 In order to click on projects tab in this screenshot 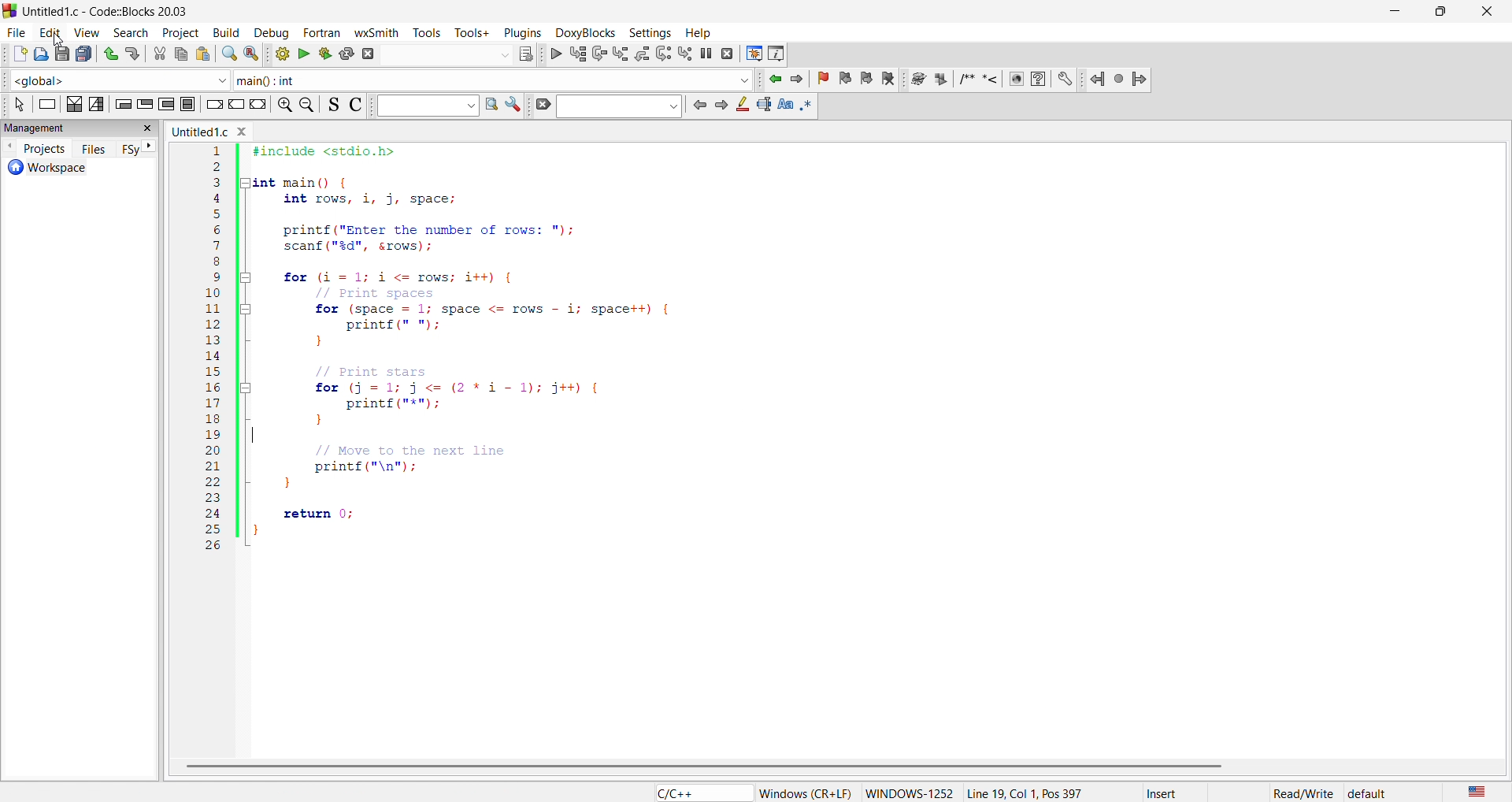, I will do `click(35, 147)`.